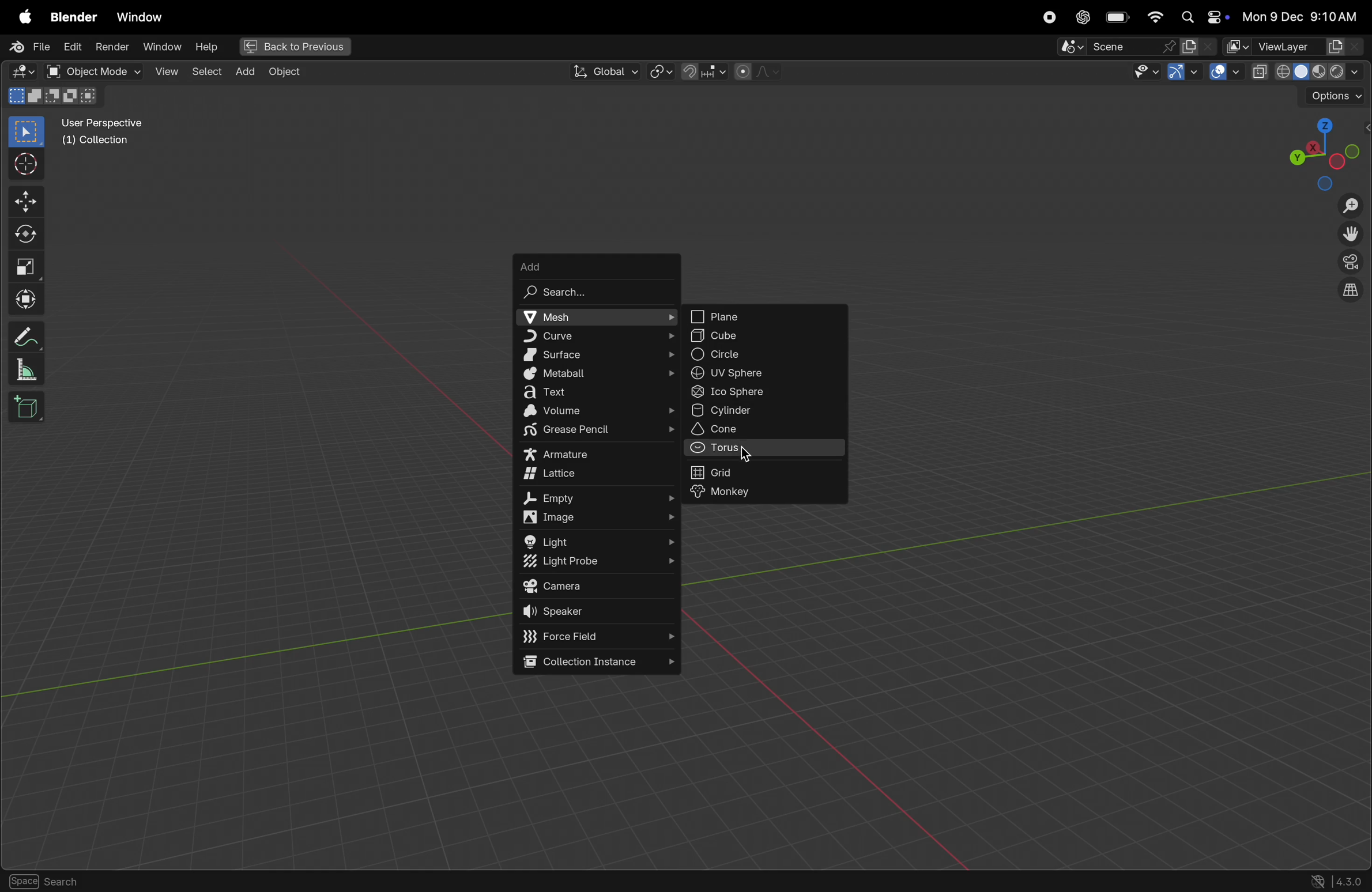  Describe the element at coordinates (1260, 72) in the screenshot. I see `copy` at that location.